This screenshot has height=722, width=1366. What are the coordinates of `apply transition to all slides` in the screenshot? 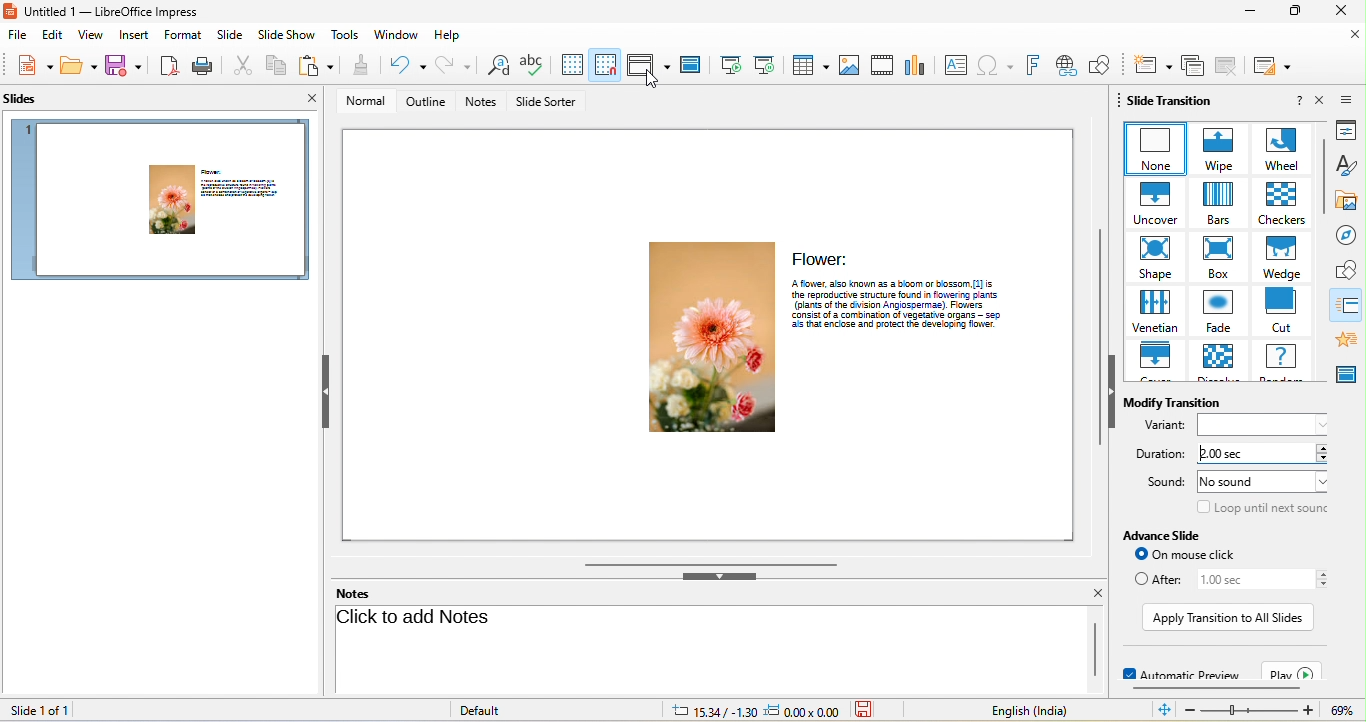 It's located at (1227, 618).